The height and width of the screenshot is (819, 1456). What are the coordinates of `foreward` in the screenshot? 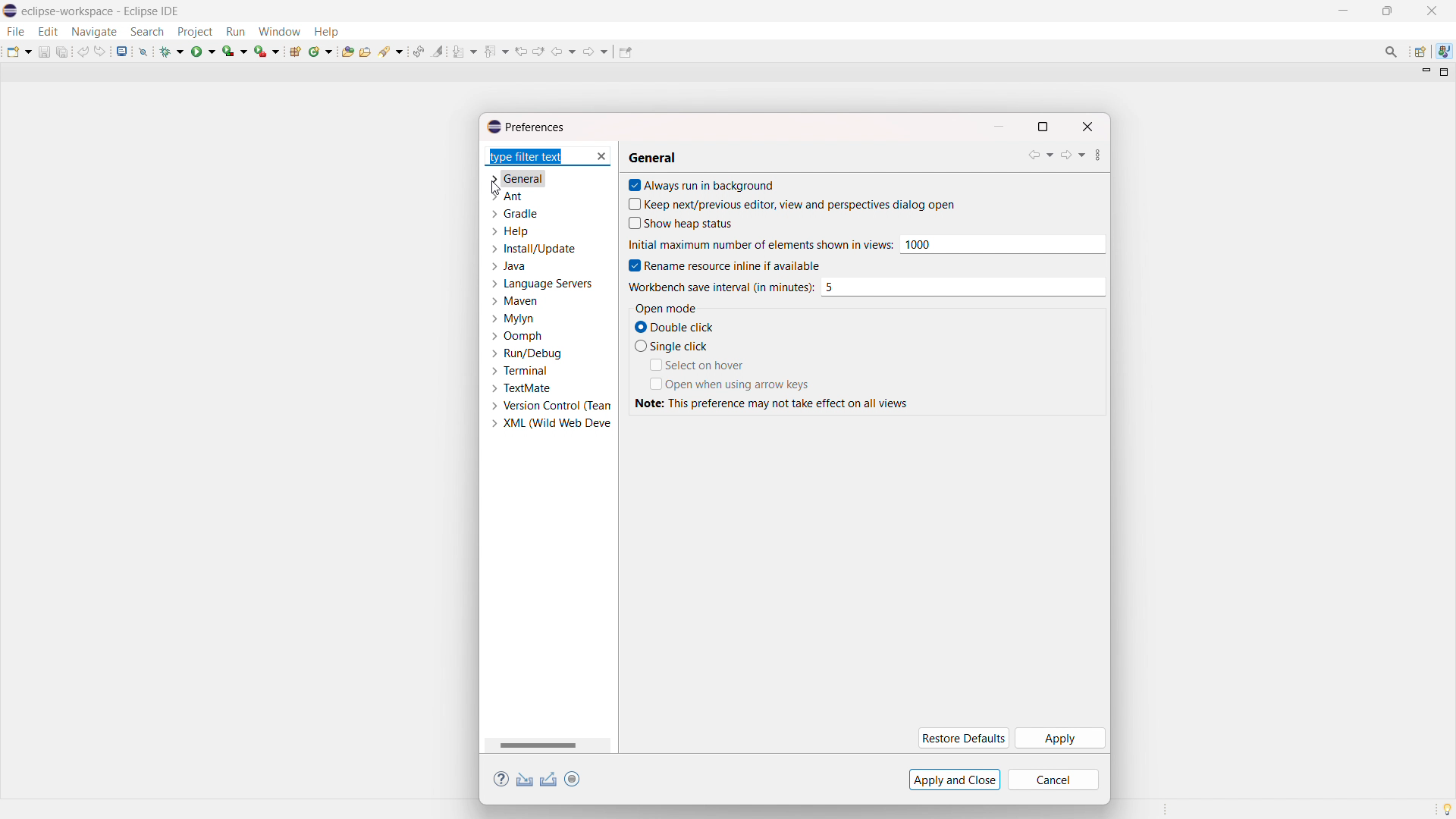 It's located at (596, 51).